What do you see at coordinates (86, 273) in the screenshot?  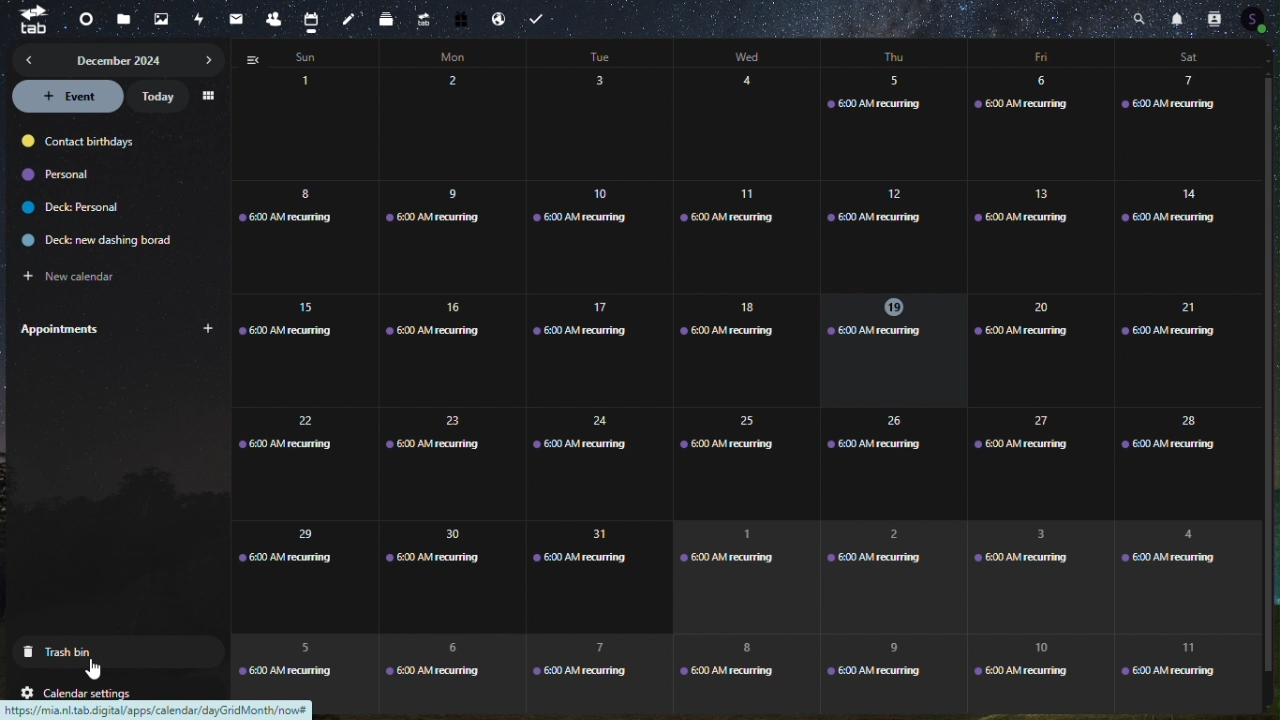 I see `new calendar` at bounding box center [86, 273].